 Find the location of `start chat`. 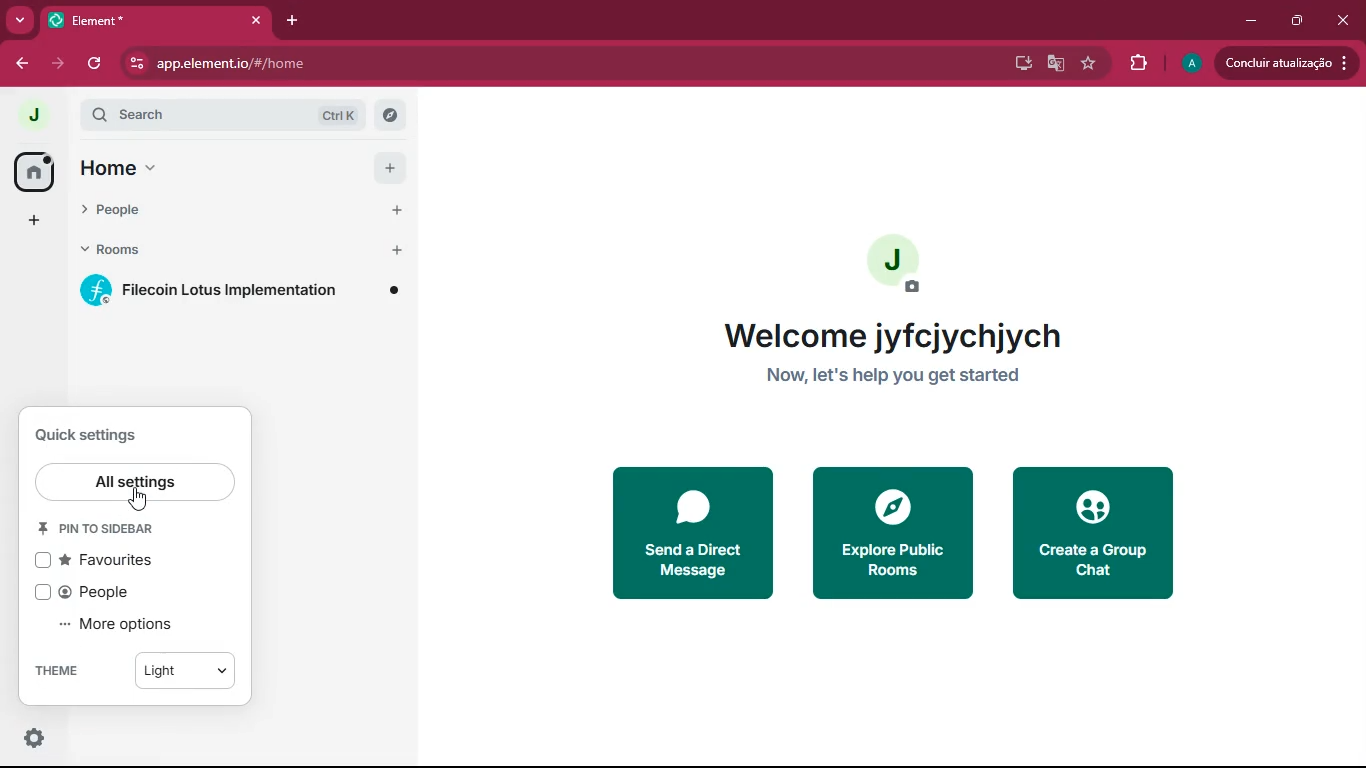

start chat is located at coordinates (396, 212).